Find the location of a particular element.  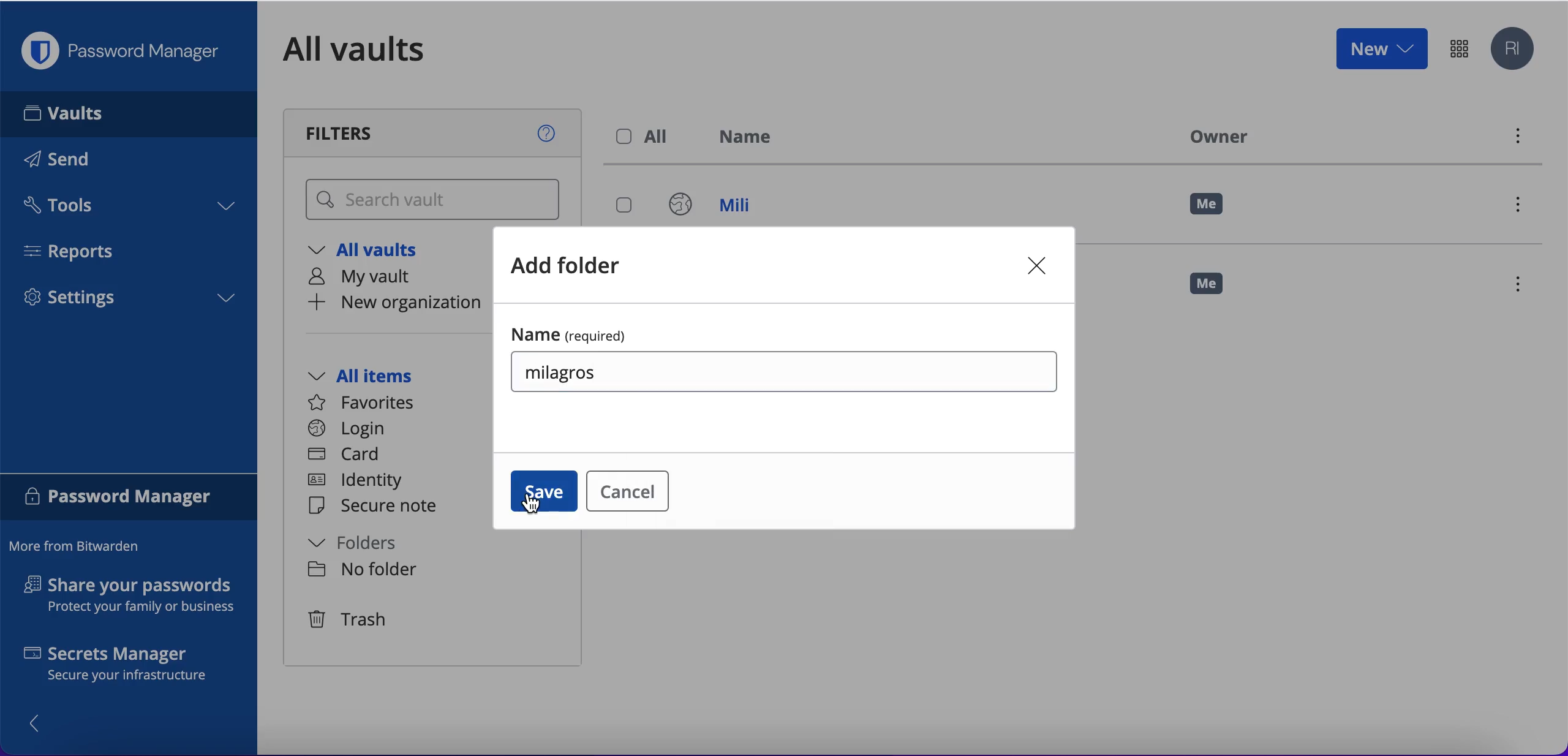

favorites is located at coordinates (369, 403).